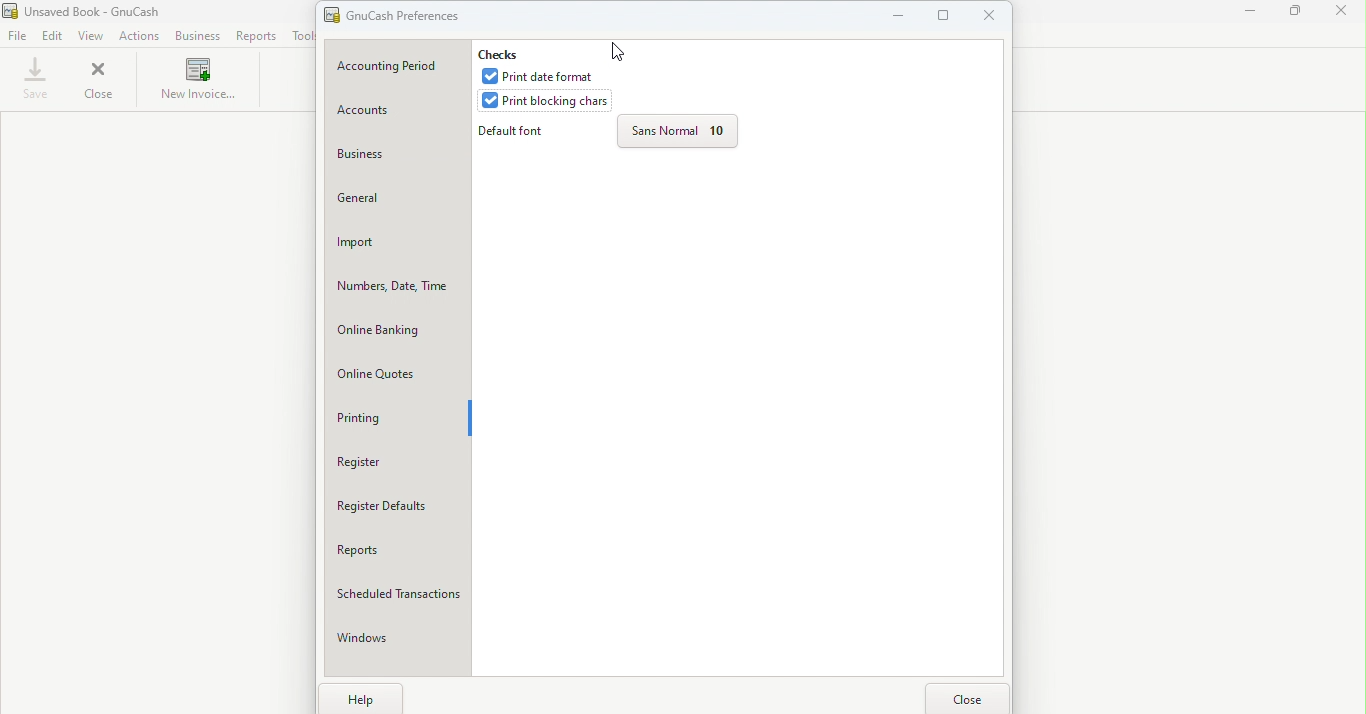 The height and width of the screenshot is (714, 1366). I want to click on General, so click(399, 201).